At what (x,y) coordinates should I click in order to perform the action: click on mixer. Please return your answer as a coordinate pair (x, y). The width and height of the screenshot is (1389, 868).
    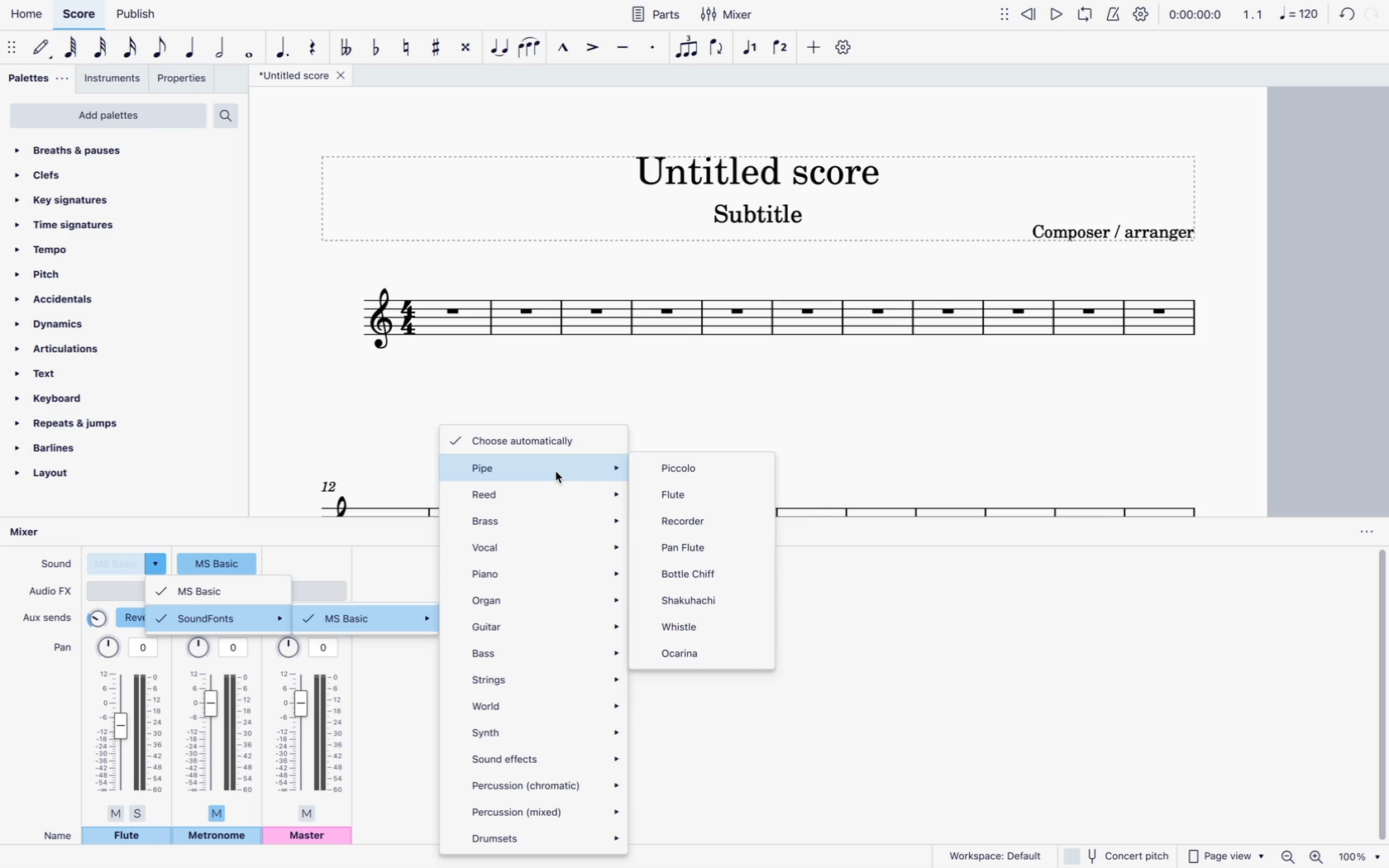
    Looking at the image, I should click on (731, 14).